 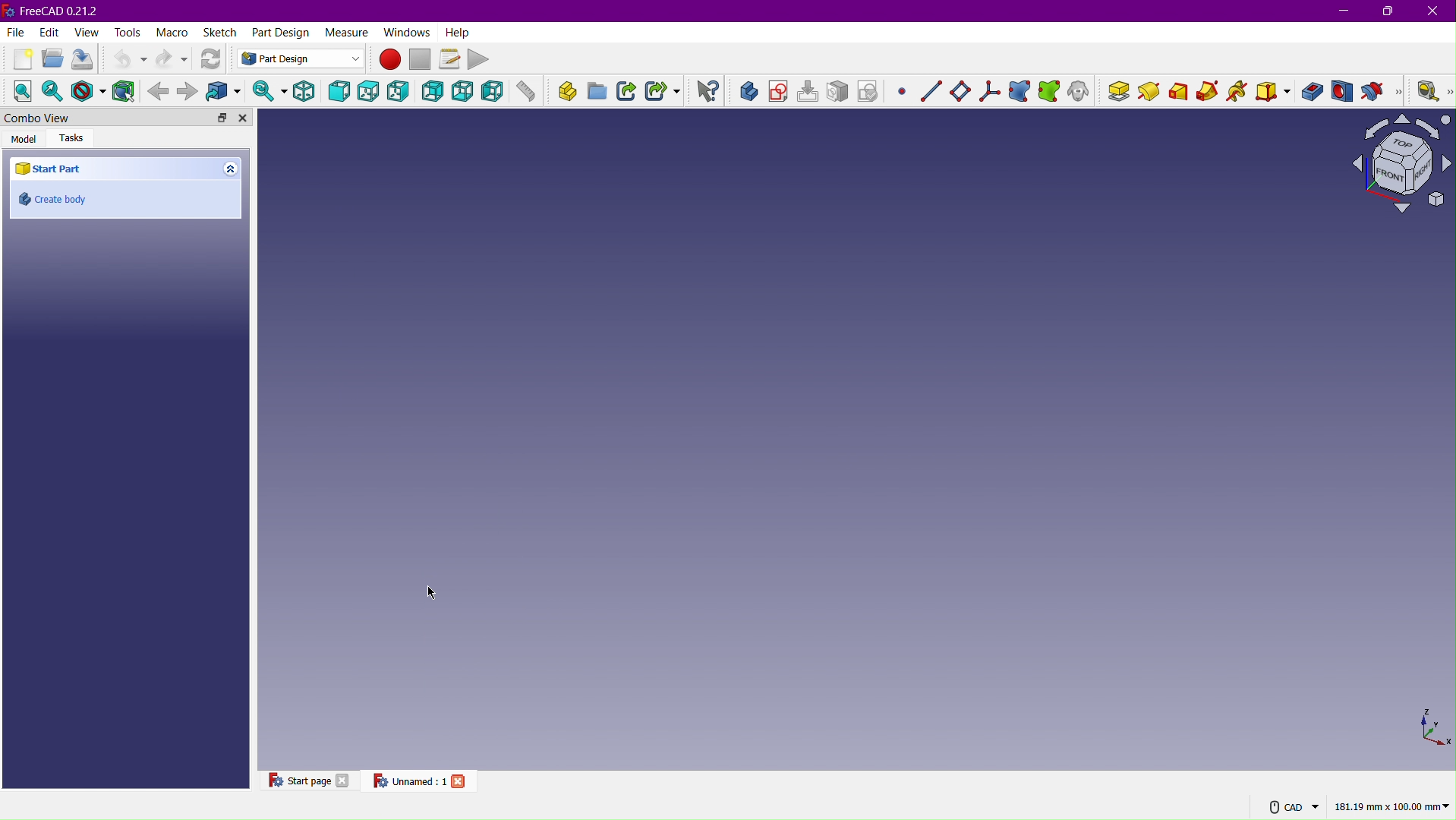 I want to click on Additive Loft, so click(x=1180, y=93).